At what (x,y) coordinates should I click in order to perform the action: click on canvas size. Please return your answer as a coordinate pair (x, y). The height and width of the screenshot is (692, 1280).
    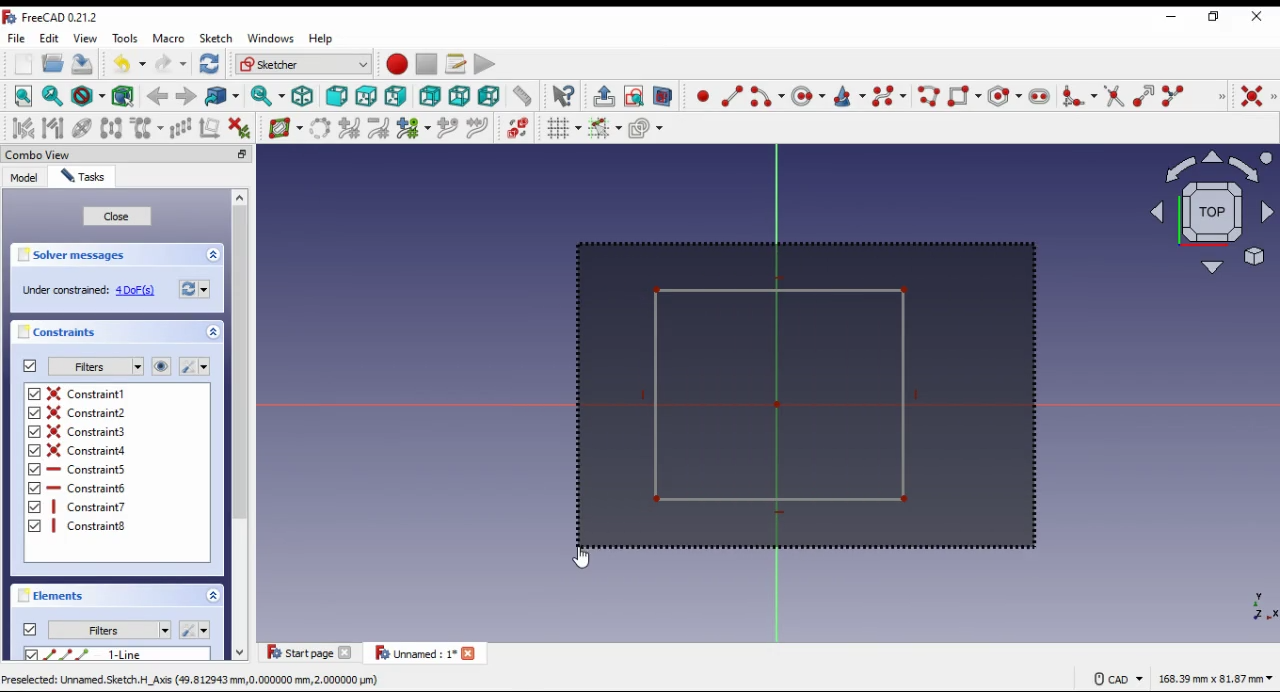
    Looking at the image, I should click on (1216, 677).